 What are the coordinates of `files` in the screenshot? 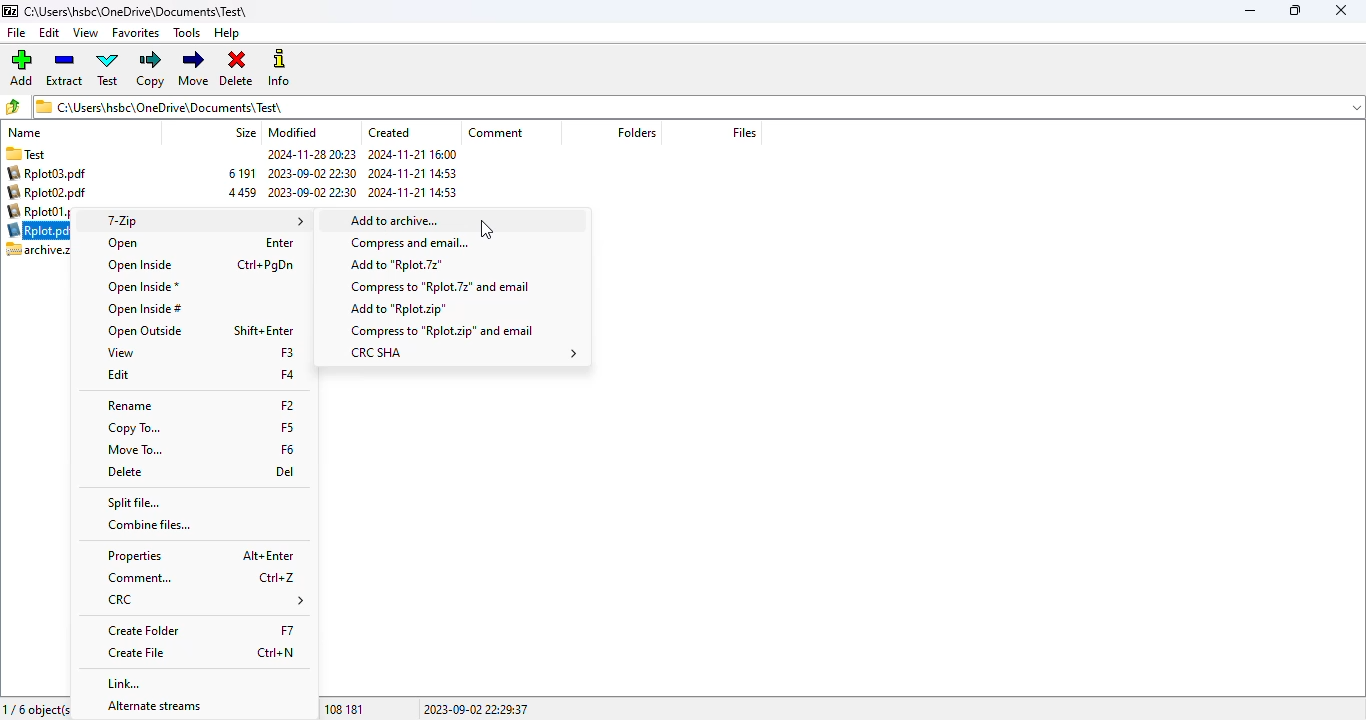 It's located at (744, 132).